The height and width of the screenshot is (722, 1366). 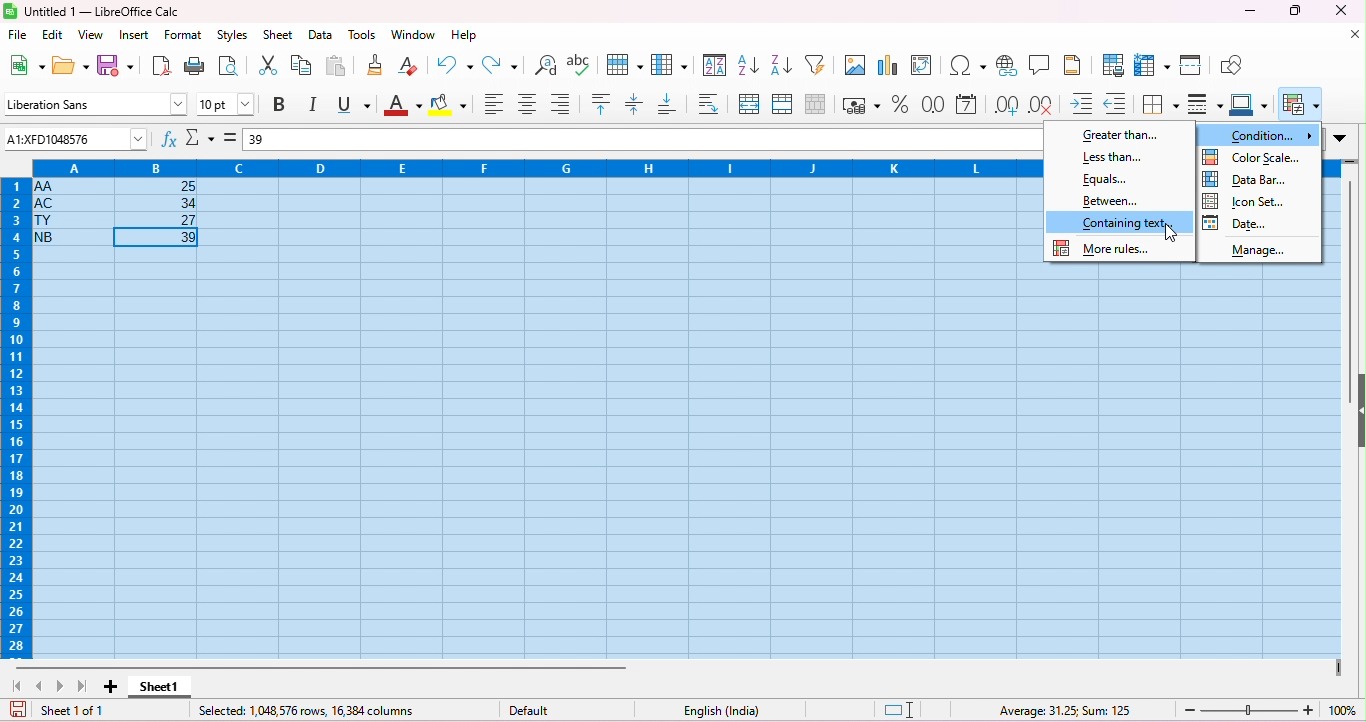 What do you see at coordinates (861, 104) in the screenshot?
I see `format as currency` at bounding box center [861, 104].